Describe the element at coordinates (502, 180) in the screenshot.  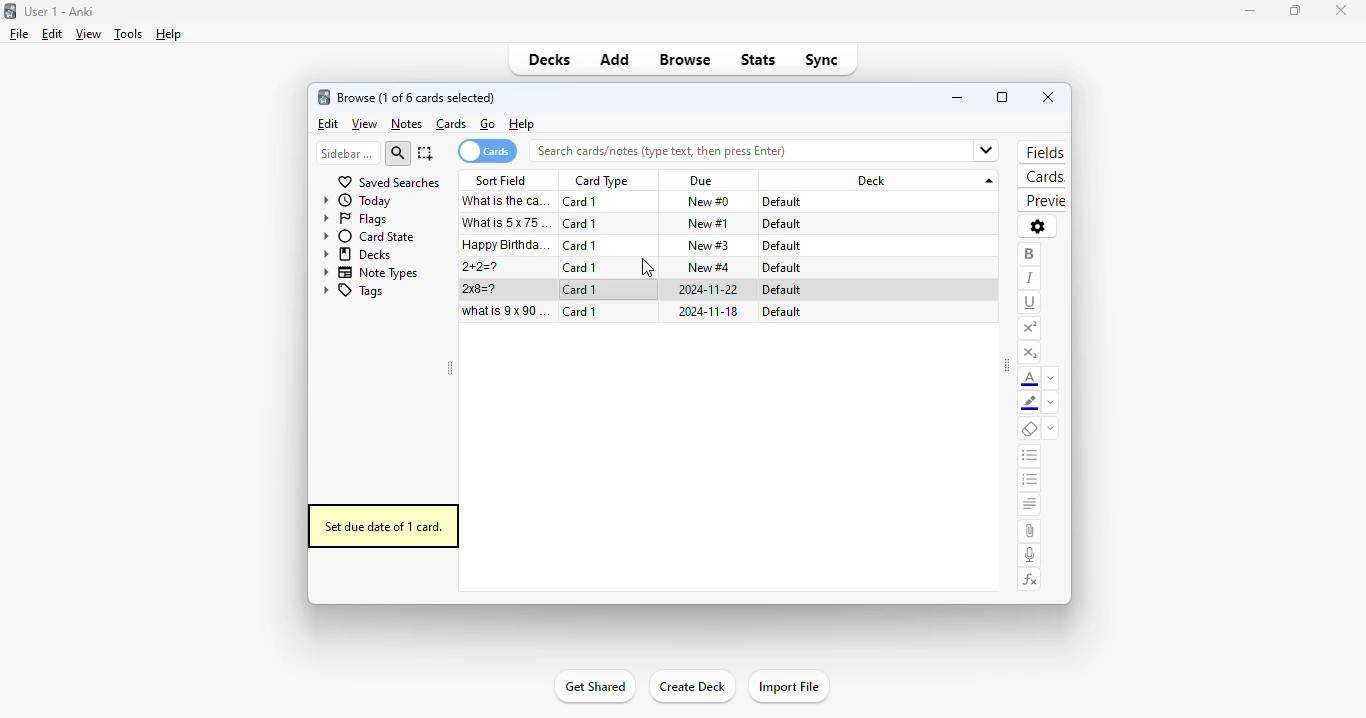
I see `sort field` at that location.